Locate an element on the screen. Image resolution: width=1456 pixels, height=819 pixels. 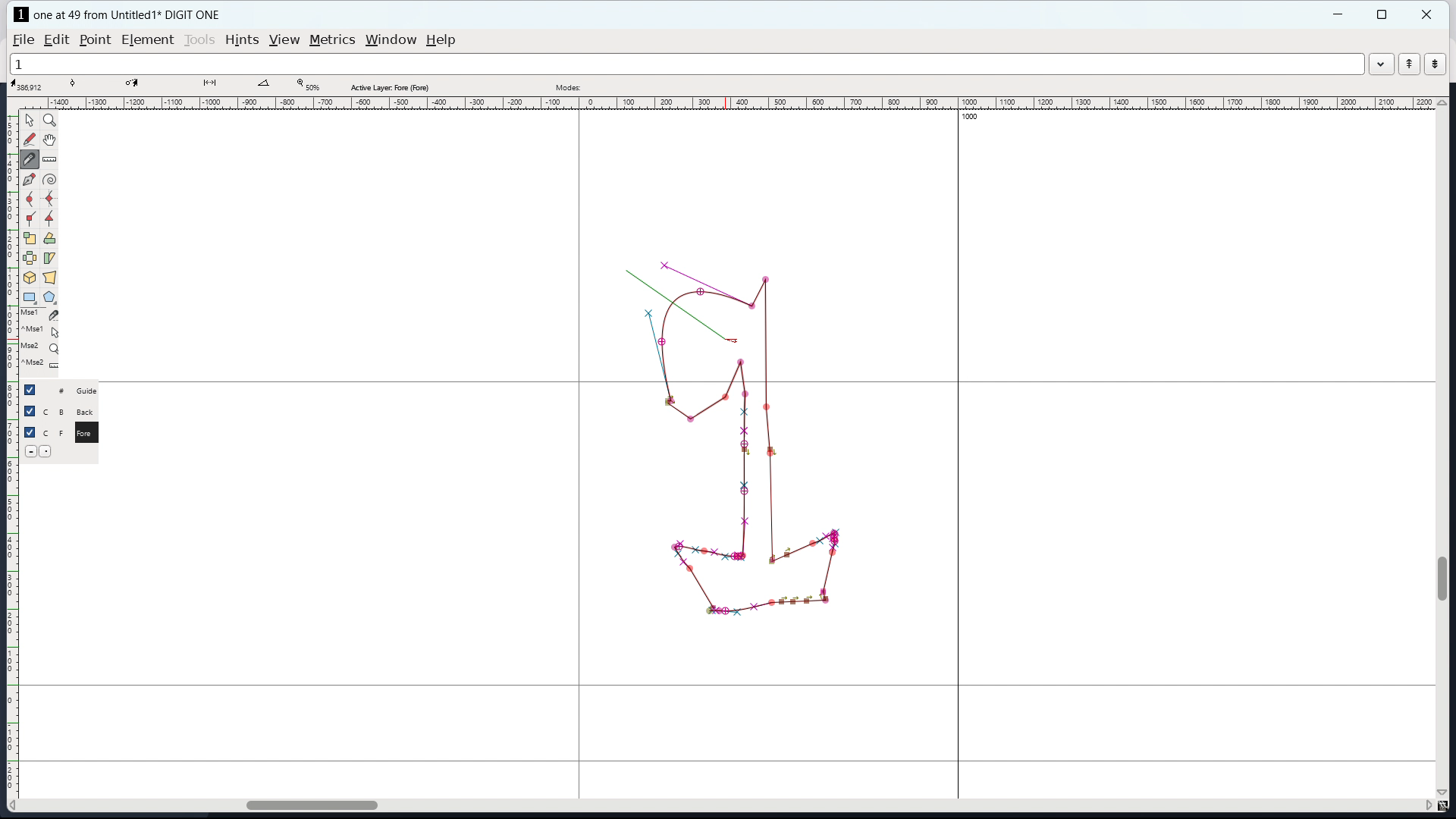
scale selection is located at coordinates (29, 238).